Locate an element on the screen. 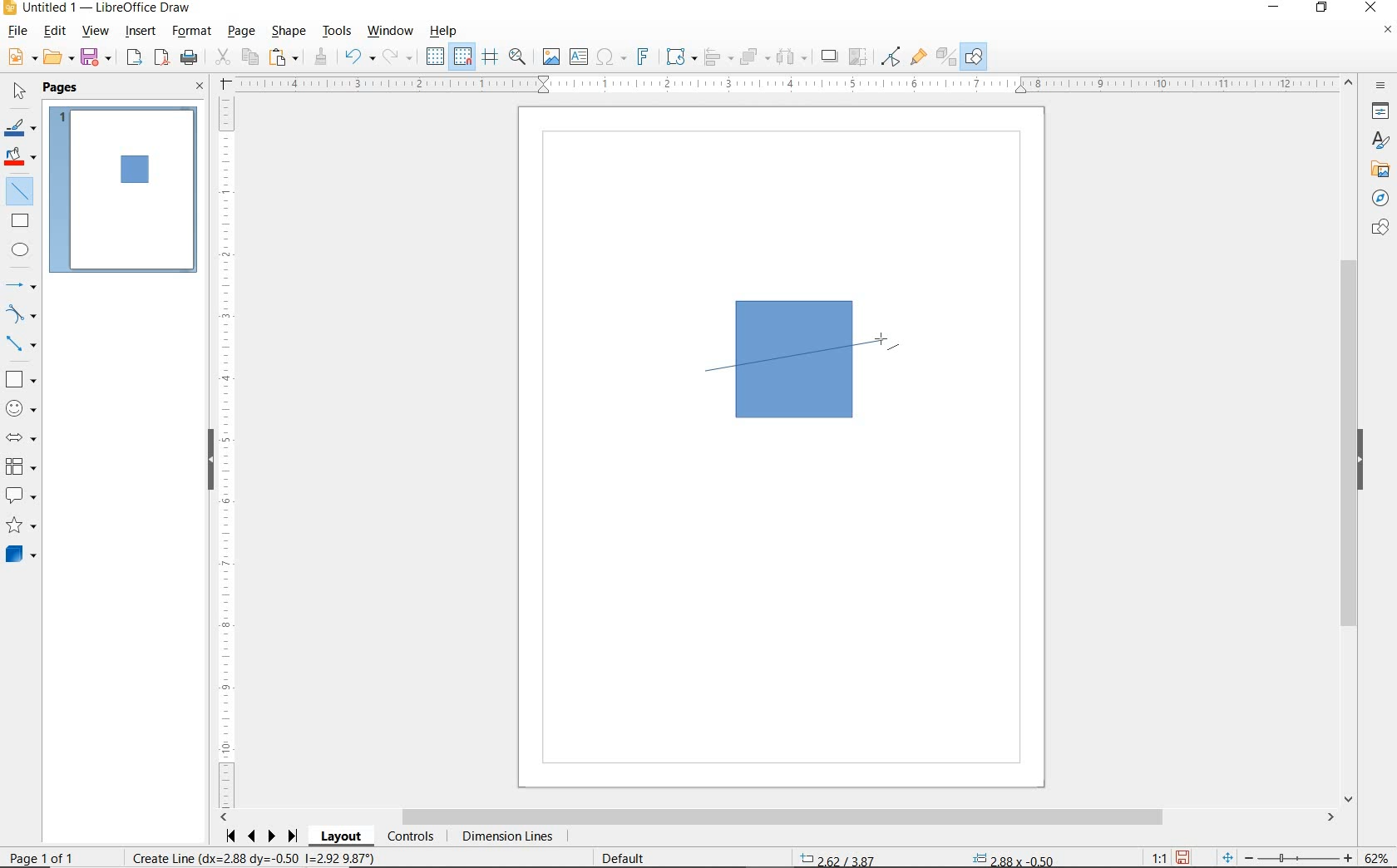 The image size is (1397, 868). PAGE is located at coordinates (243, 32).